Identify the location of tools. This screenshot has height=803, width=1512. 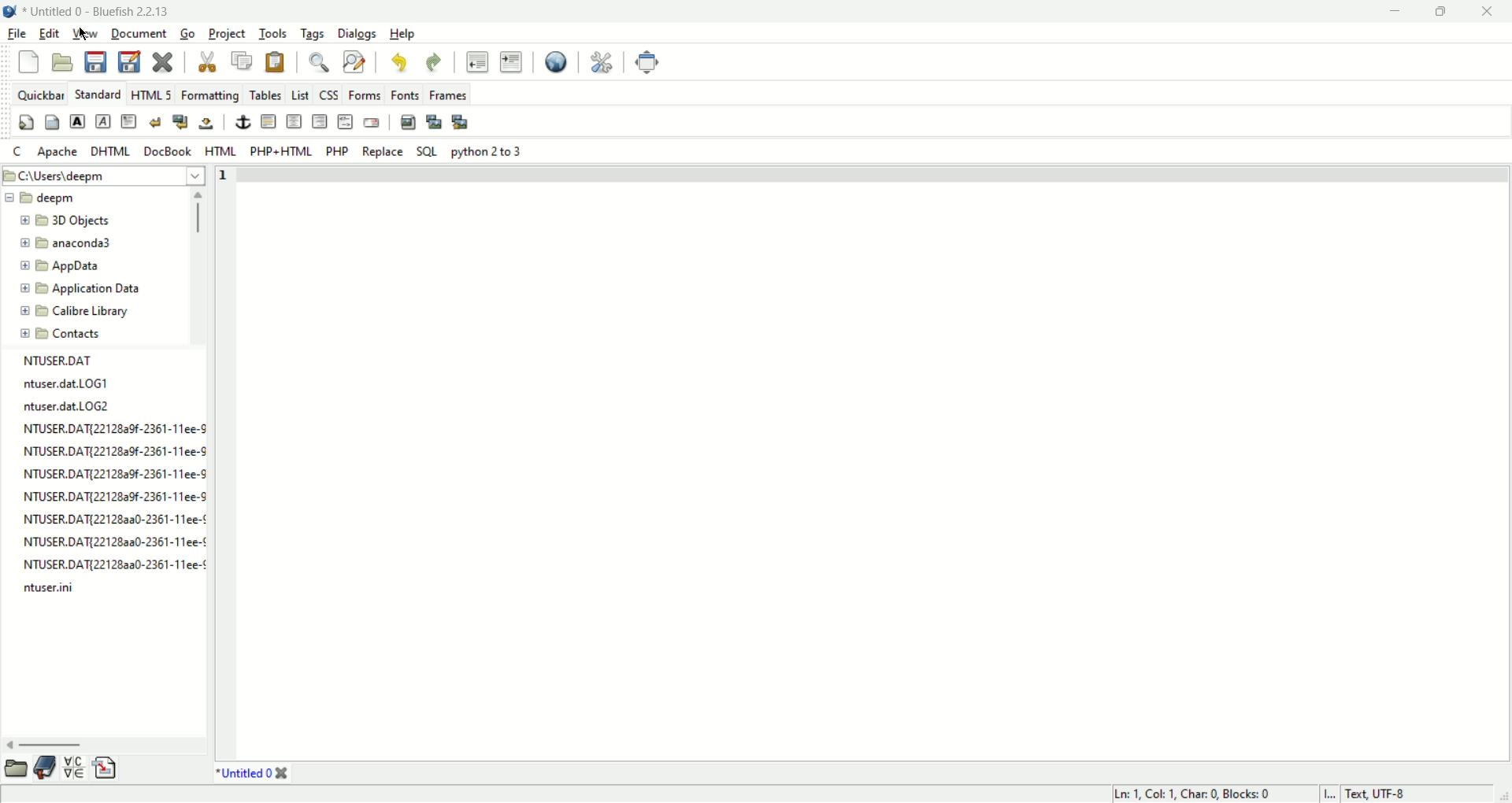
(274, 32).